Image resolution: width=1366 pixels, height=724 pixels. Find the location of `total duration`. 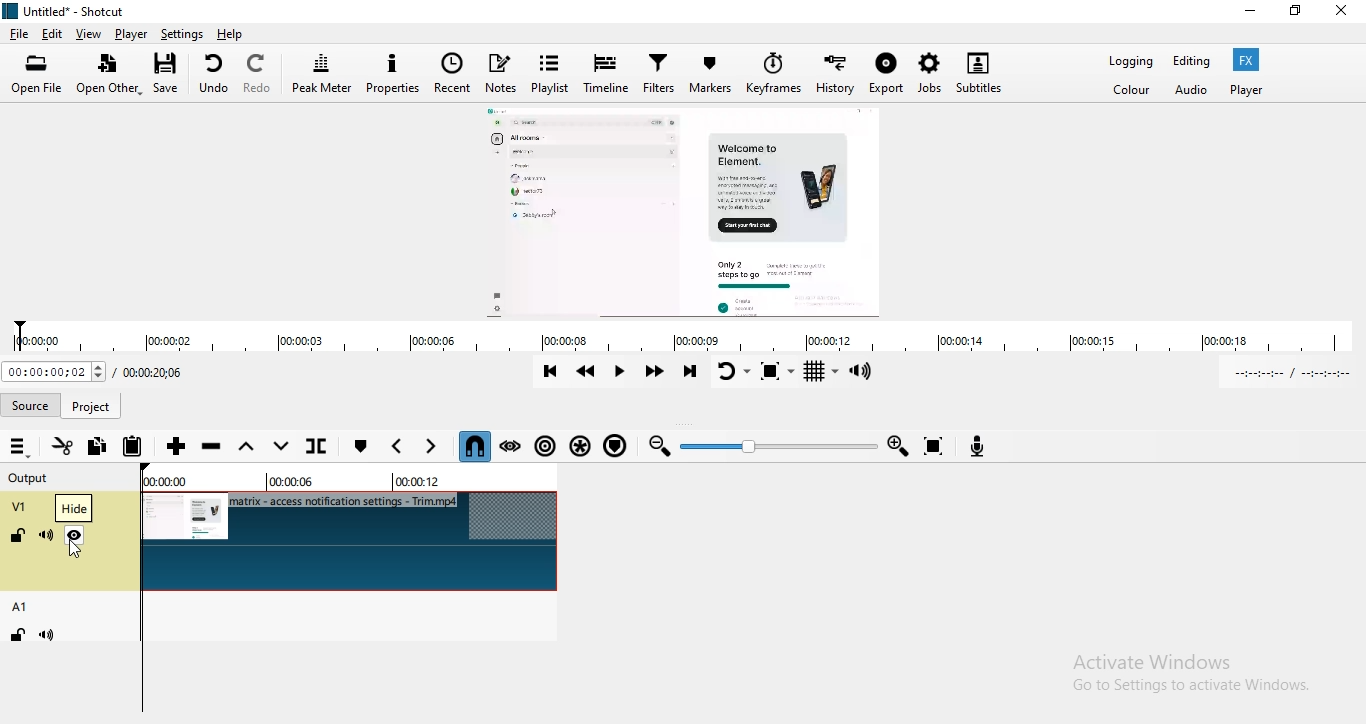

total duration is located at coordinates (153, 374).